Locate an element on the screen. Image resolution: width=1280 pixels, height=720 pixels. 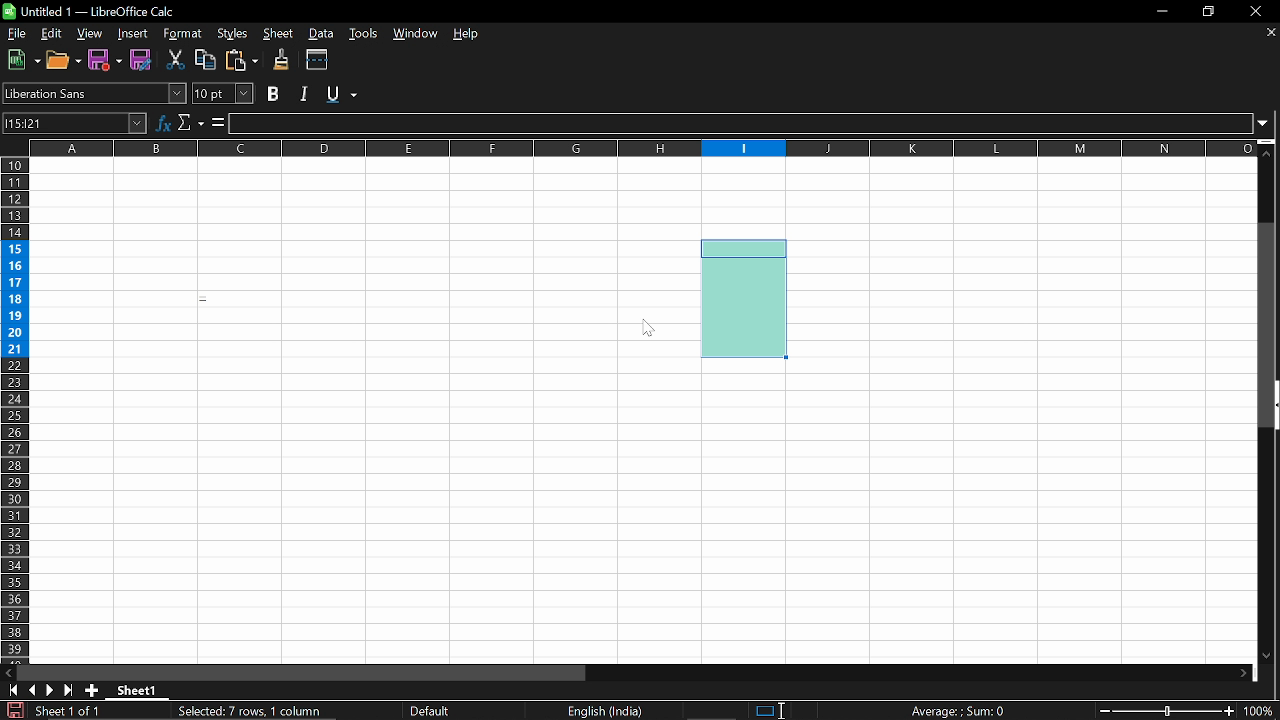
Paste is located at coordinates (243, 60).